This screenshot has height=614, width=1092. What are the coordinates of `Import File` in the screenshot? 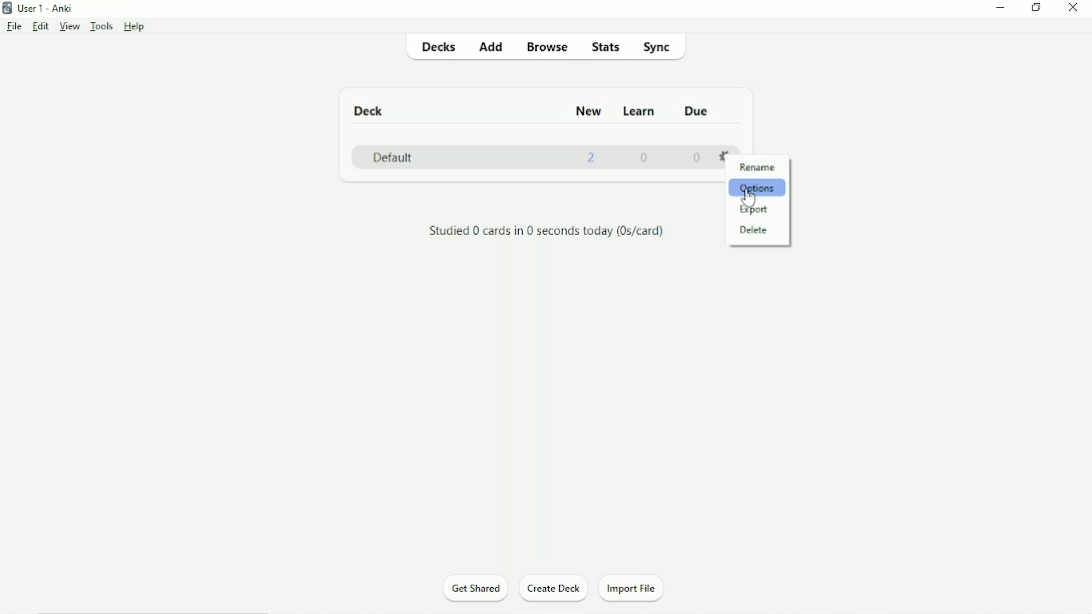 It's located at (632, 587).